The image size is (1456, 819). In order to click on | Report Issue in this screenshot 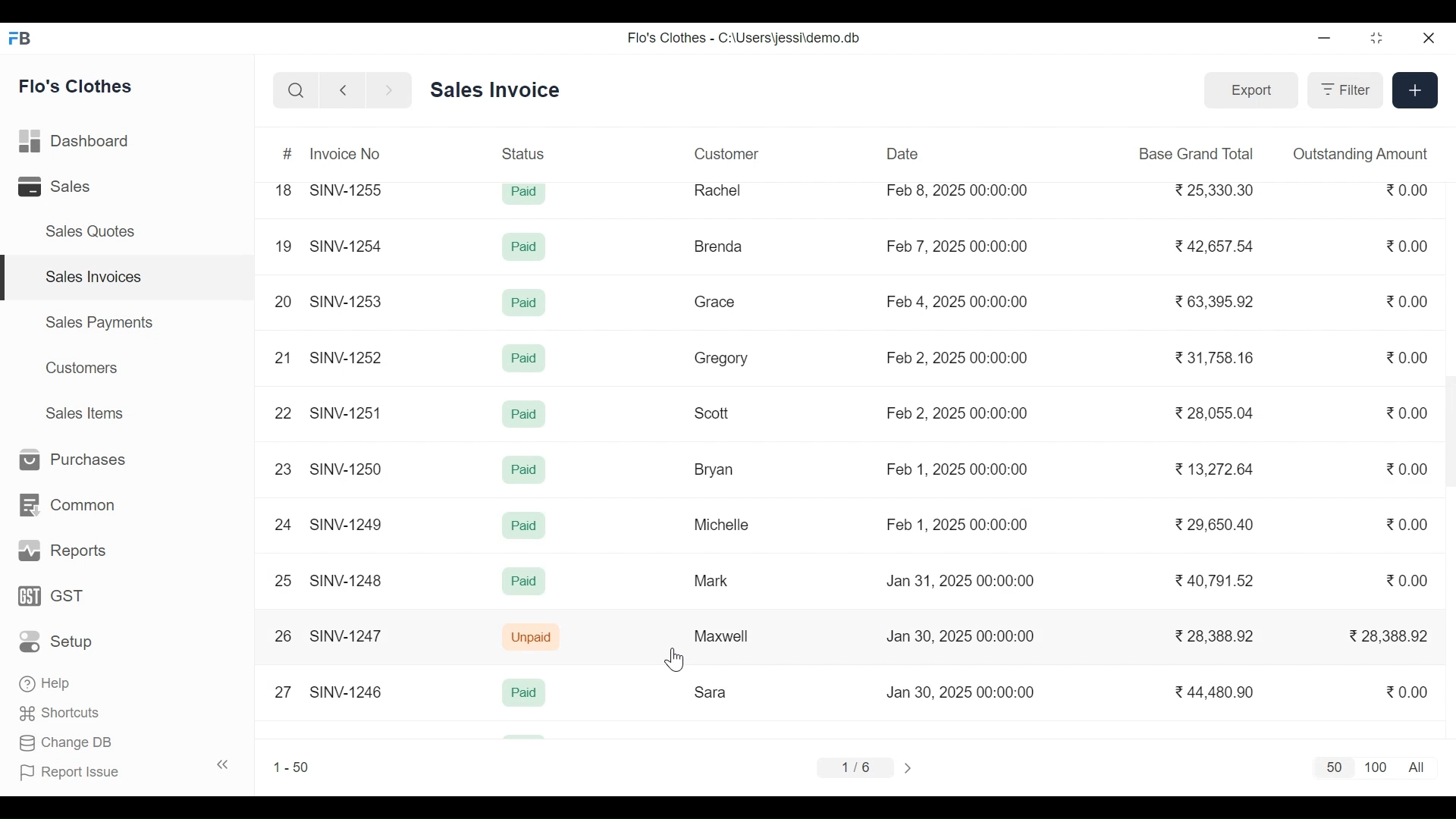, I will do `click(126, 770)`.